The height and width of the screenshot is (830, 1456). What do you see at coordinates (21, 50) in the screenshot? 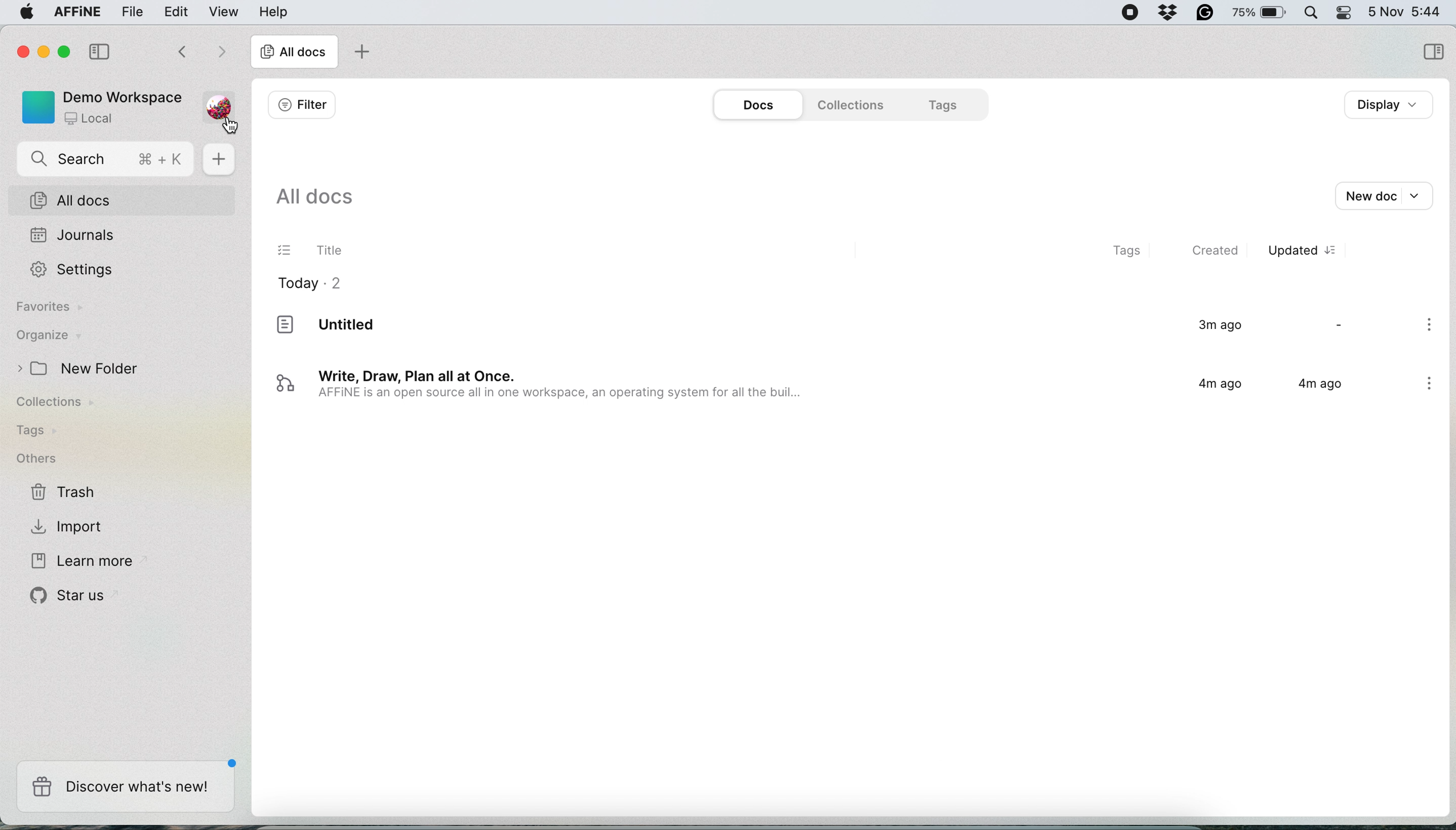
I see `close` at bounding box center [21, 50].